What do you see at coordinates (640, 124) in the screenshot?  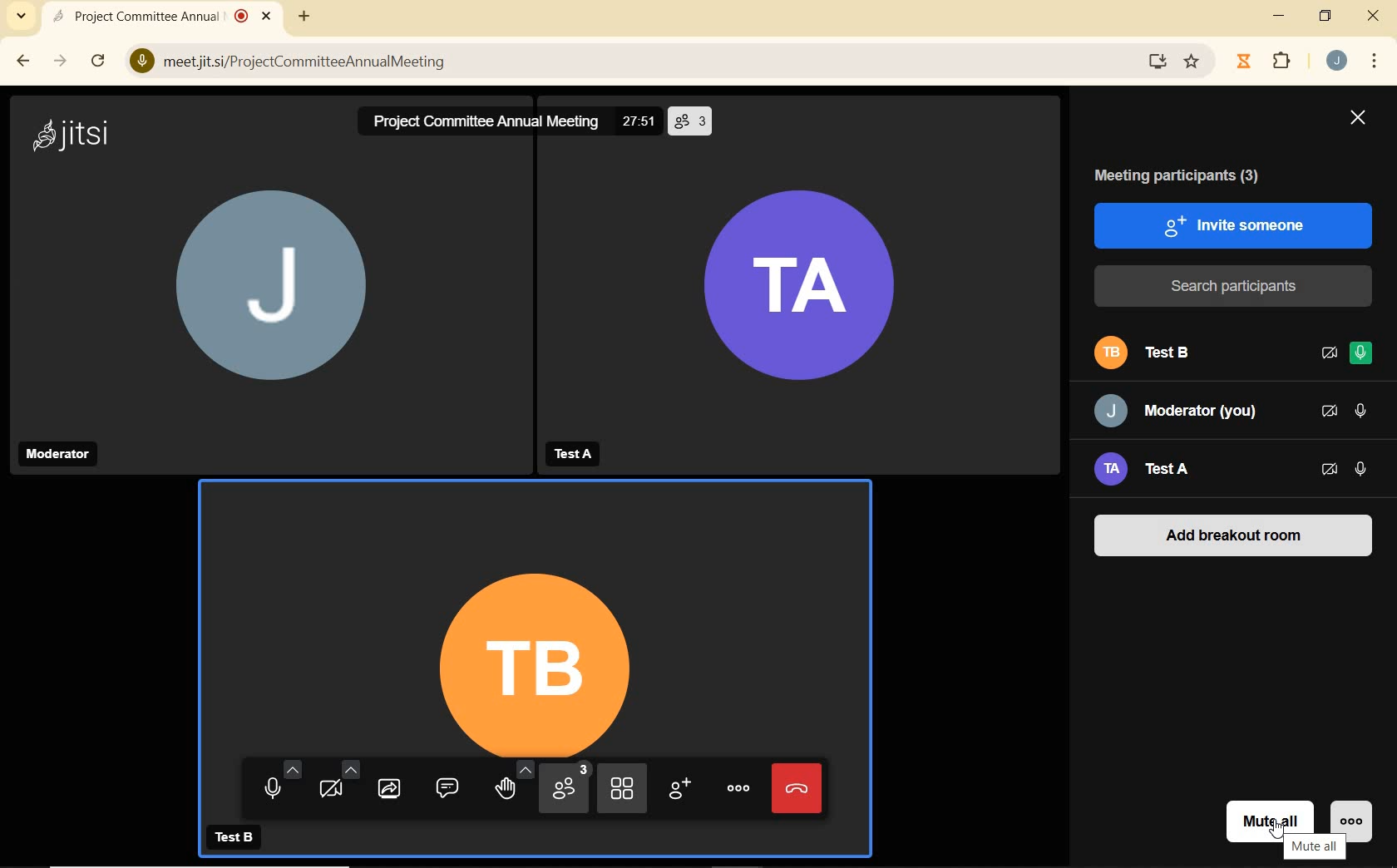 I see `27:43` at bounding box center [640, 124].